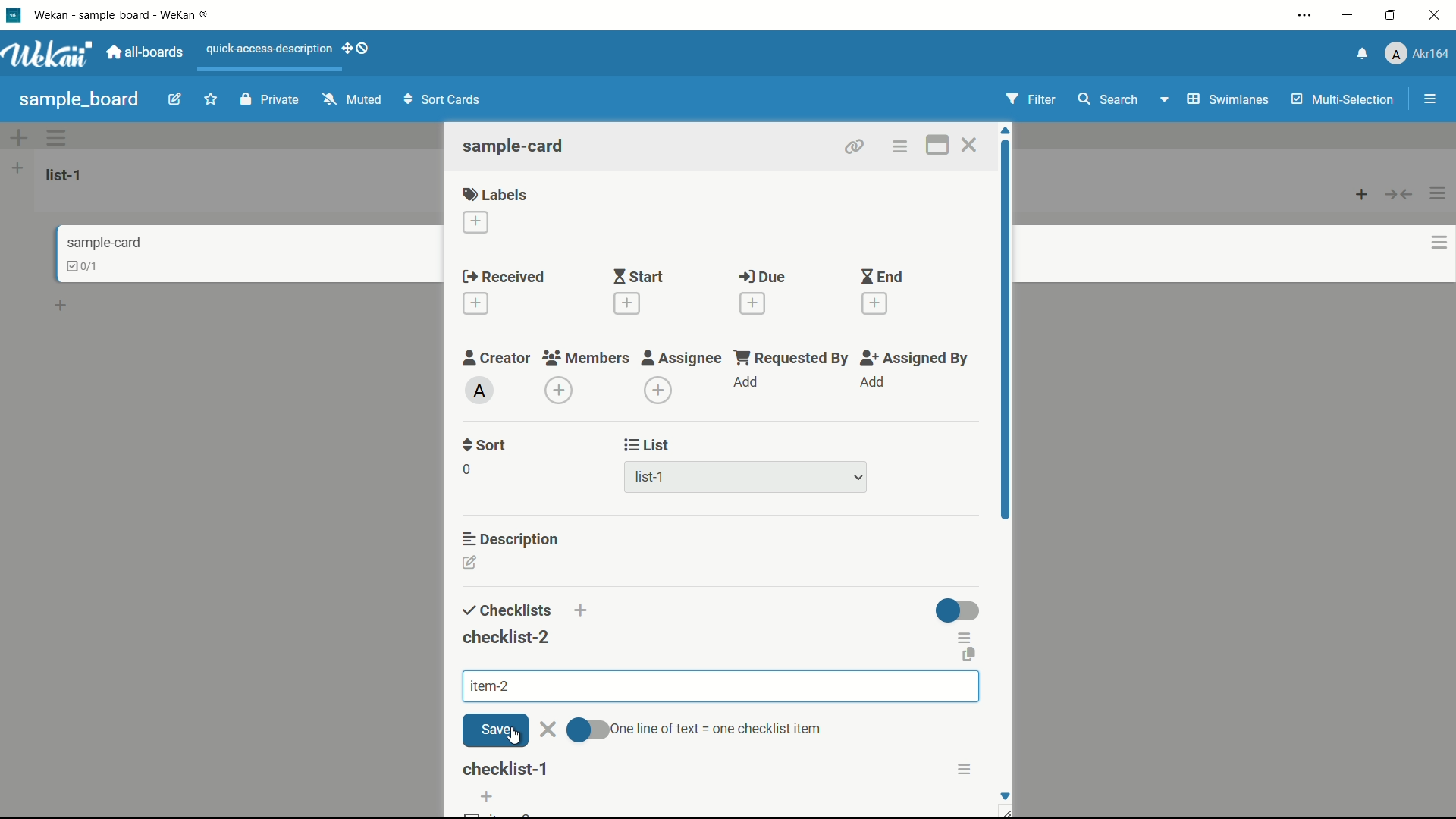 Image resolution: width=1456 pixels, height=819 pixels. Describe the element at coordinates (175, 101) in the screenshot. I see `edit` at that location.